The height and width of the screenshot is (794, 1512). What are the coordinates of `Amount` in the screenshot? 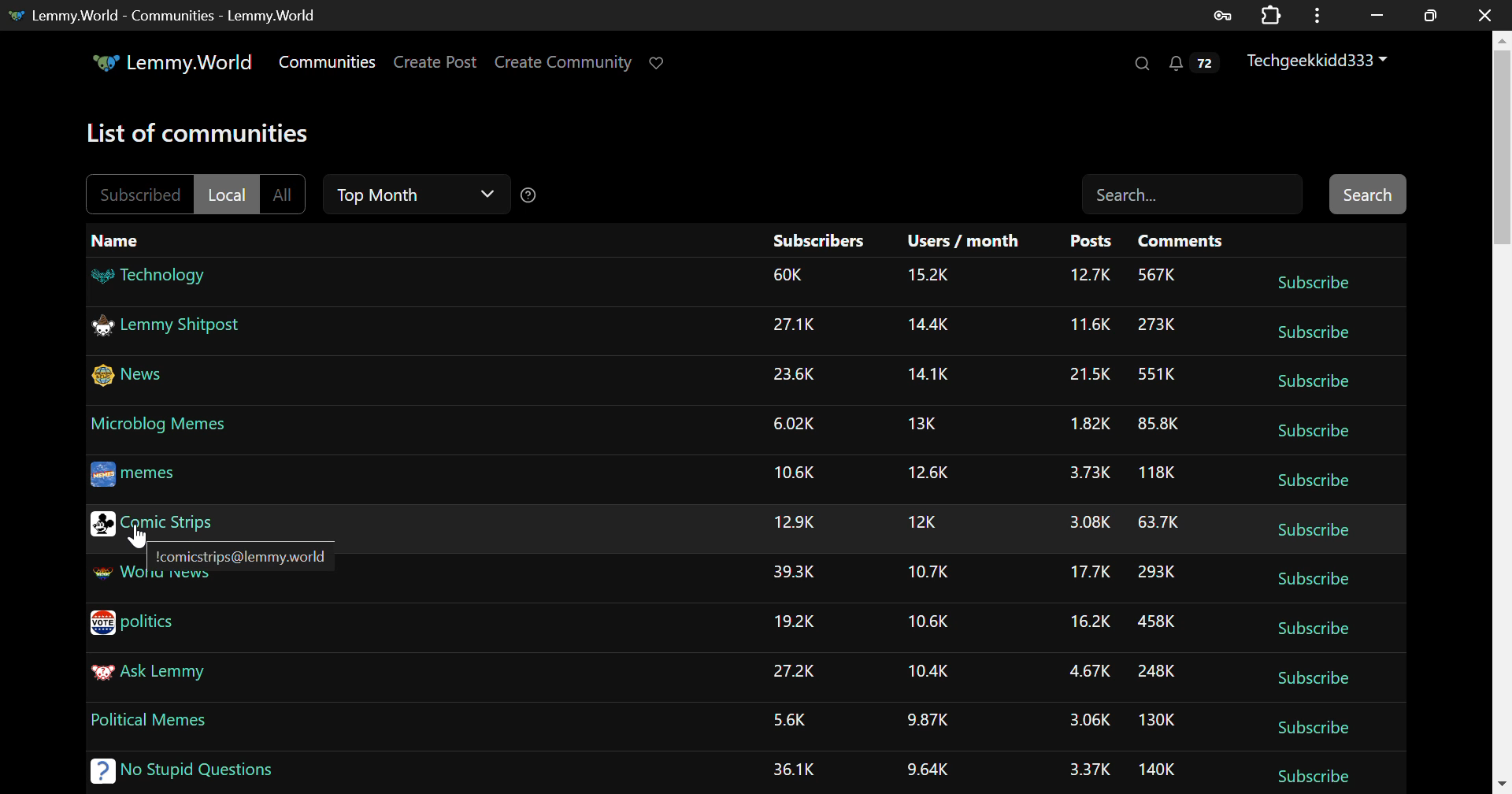 It's located at (1158, 623).